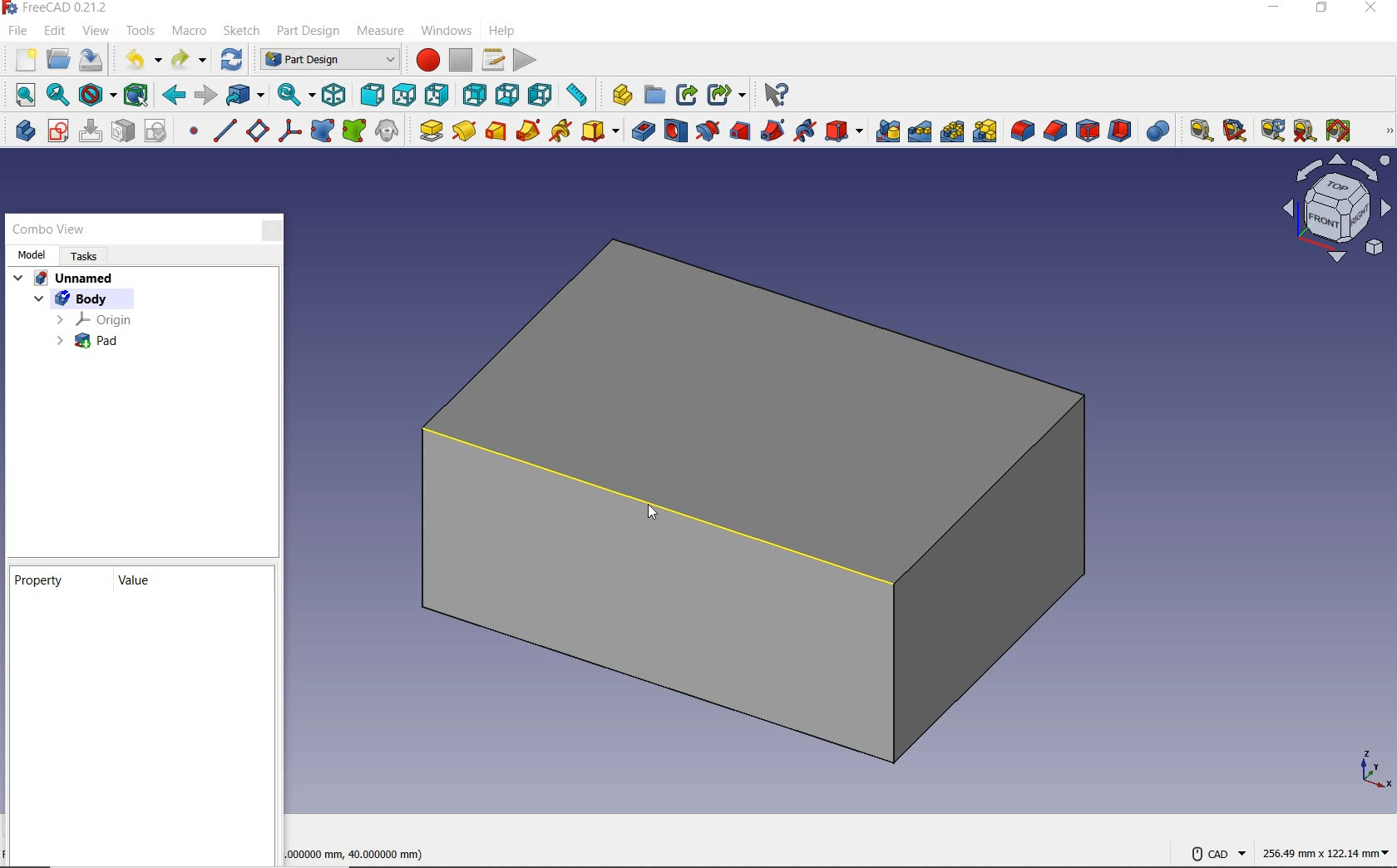 The width and height of the screenshot is (1397, 868). What do you see at coordinates (356, 131) in the screenshot?
I see `create a sub object` at bounding box center [356, 131].